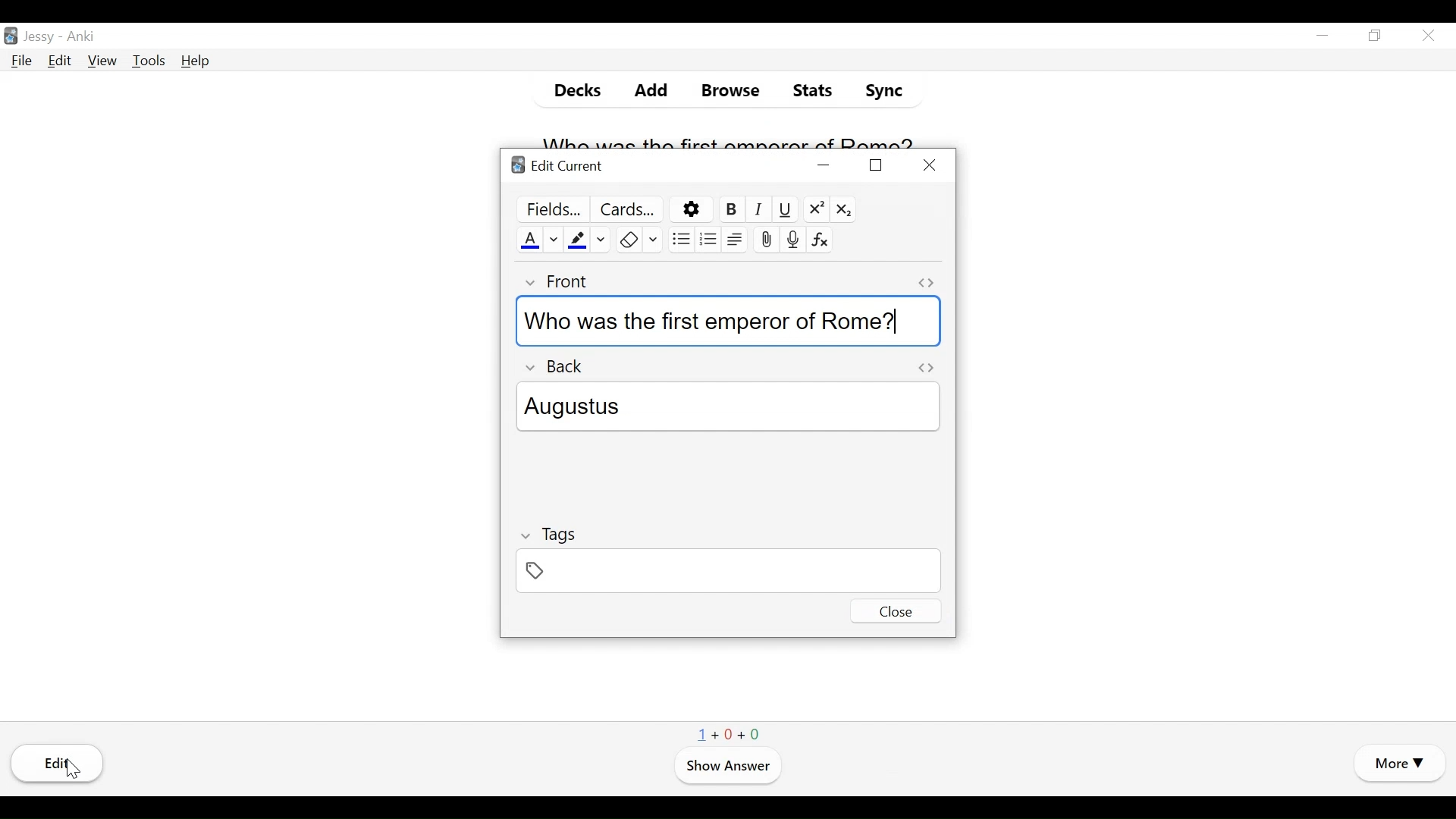 Image resolution: width=1456 pixels, height=819 pixels. What do you see at coordinates (571, 89) in the screenshot?
I see `Decks` at bounding box center [571, 89].